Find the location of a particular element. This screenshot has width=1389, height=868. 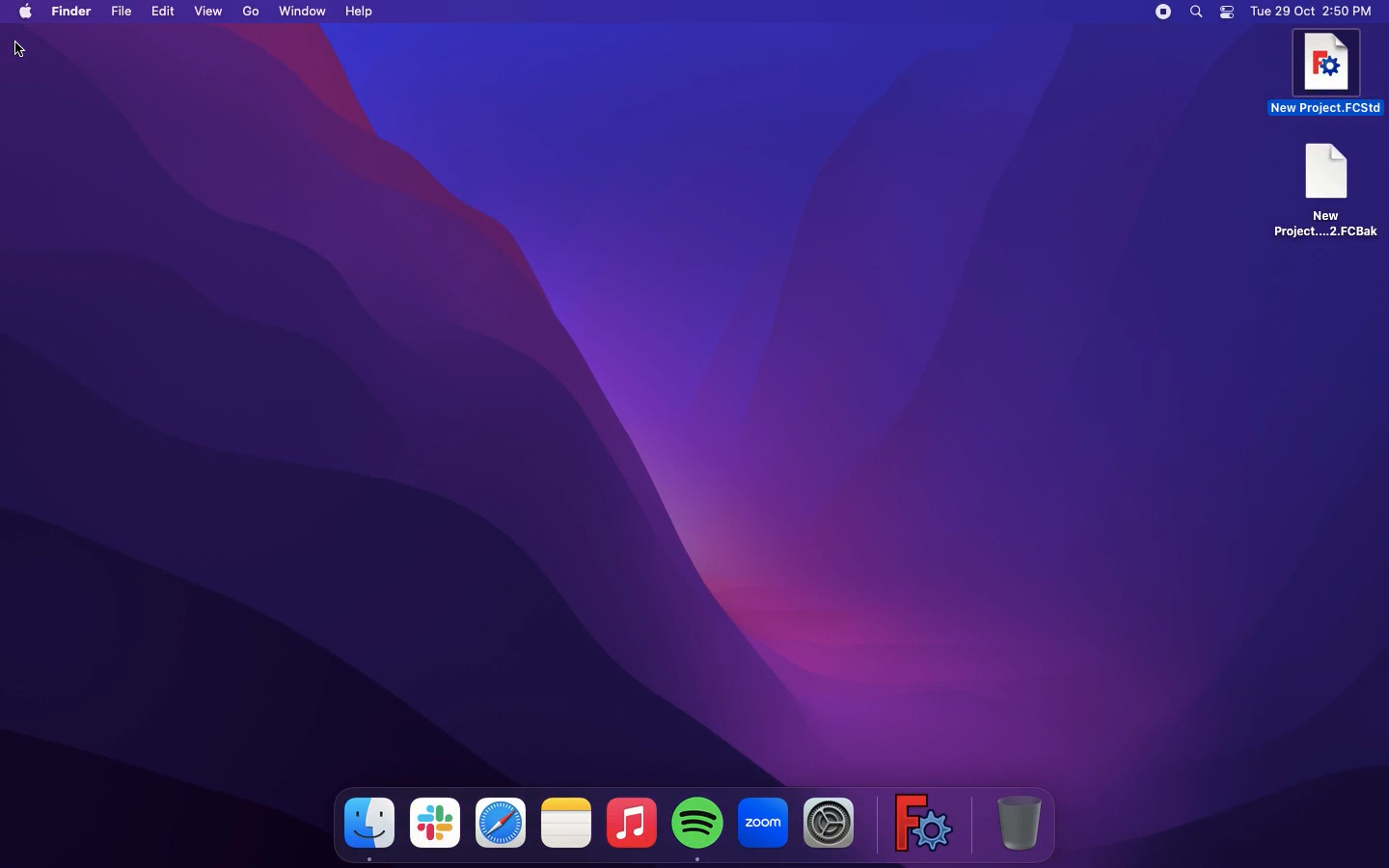

Notification is located at coordinates (1229, 14).